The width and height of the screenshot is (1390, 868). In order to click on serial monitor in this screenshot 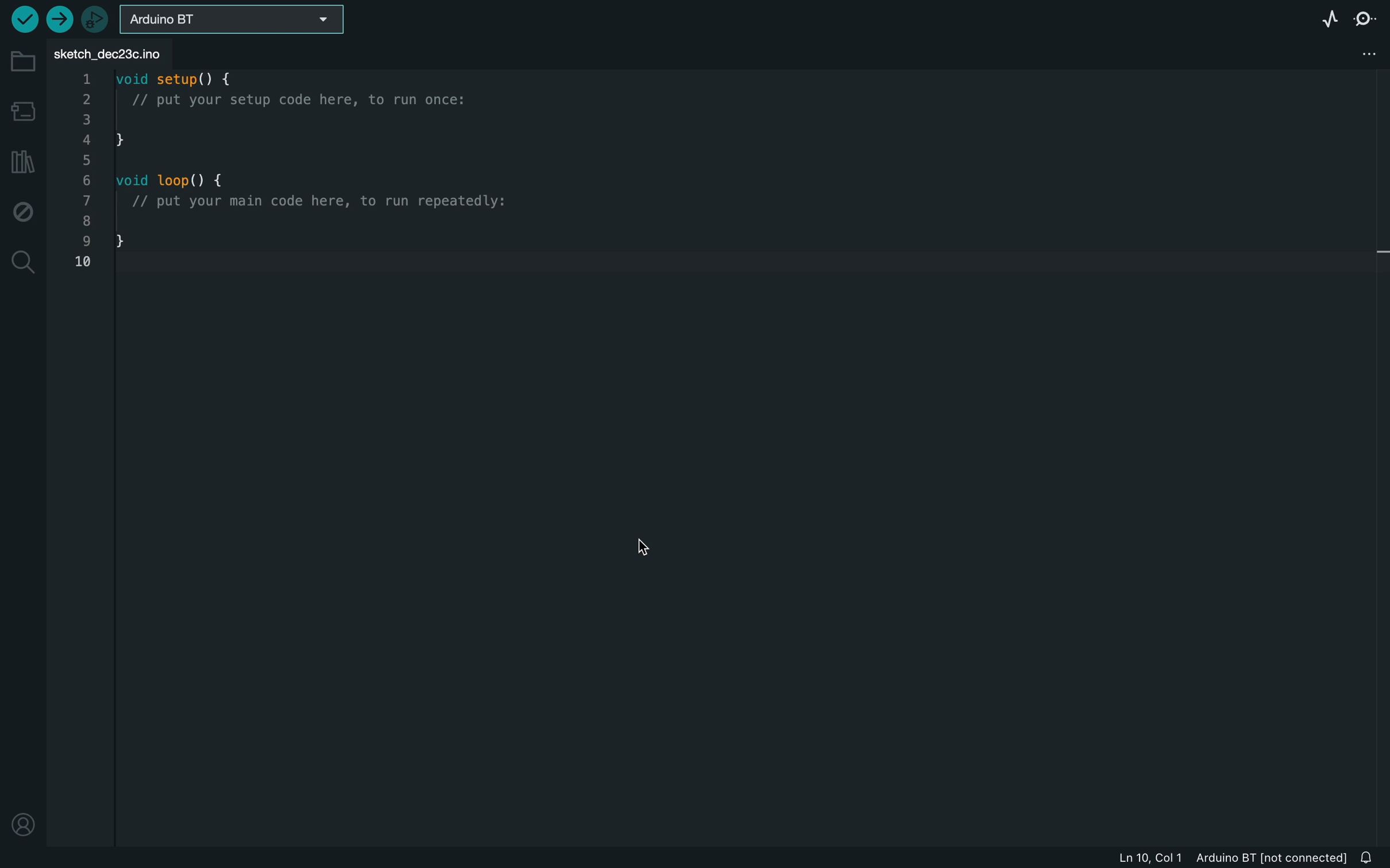, I will do `click(1368, 18)`.